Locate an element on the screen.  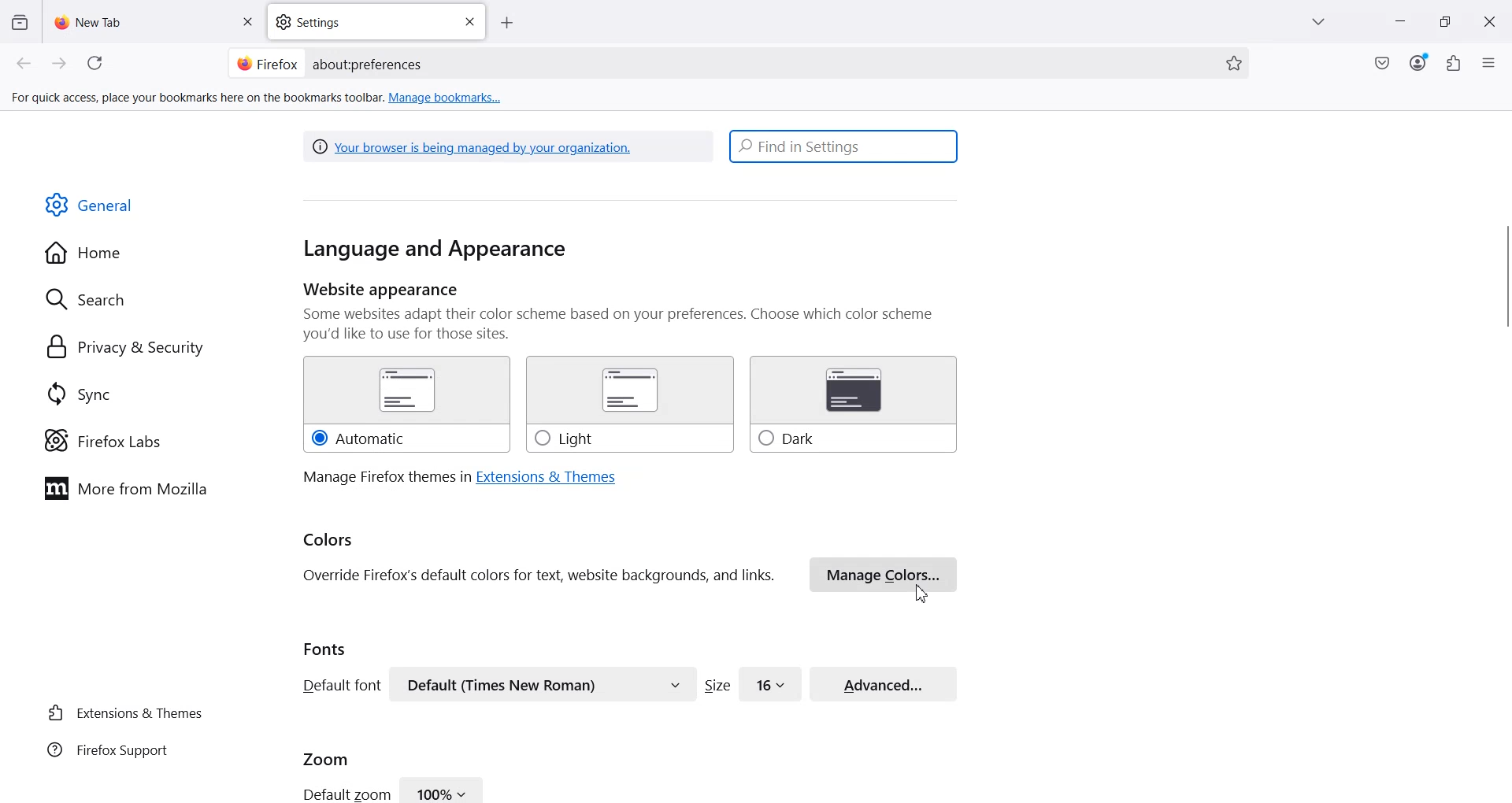
Default zoom is located at coordinates (345, 793).